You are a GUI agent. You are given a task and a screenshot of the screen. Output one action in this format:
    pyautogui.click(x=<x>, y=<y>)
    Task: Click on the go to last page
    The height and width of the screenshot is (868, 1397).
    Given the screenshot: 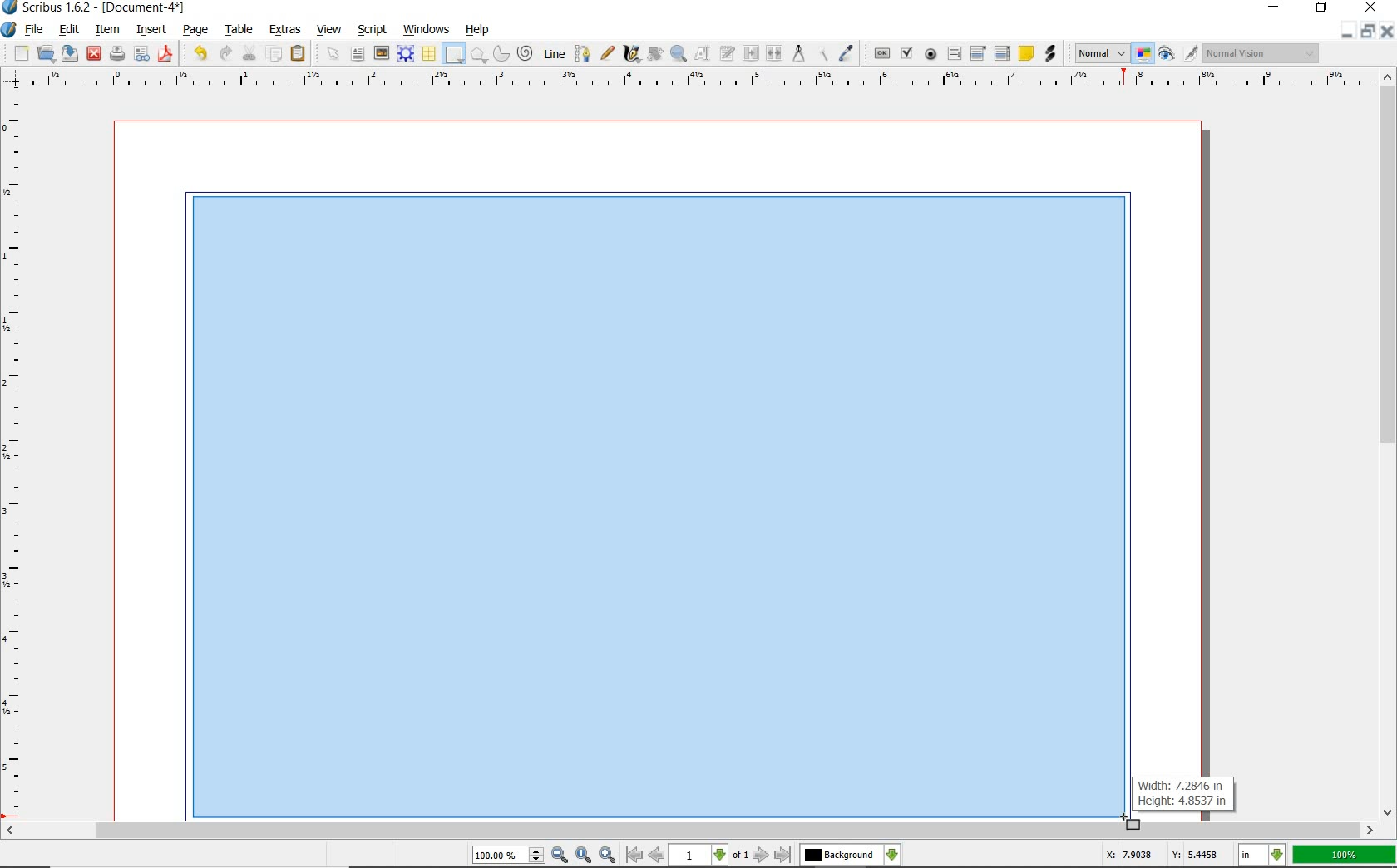 What is the action you would take?
    pyautogui.click(x=782, y=855)
    